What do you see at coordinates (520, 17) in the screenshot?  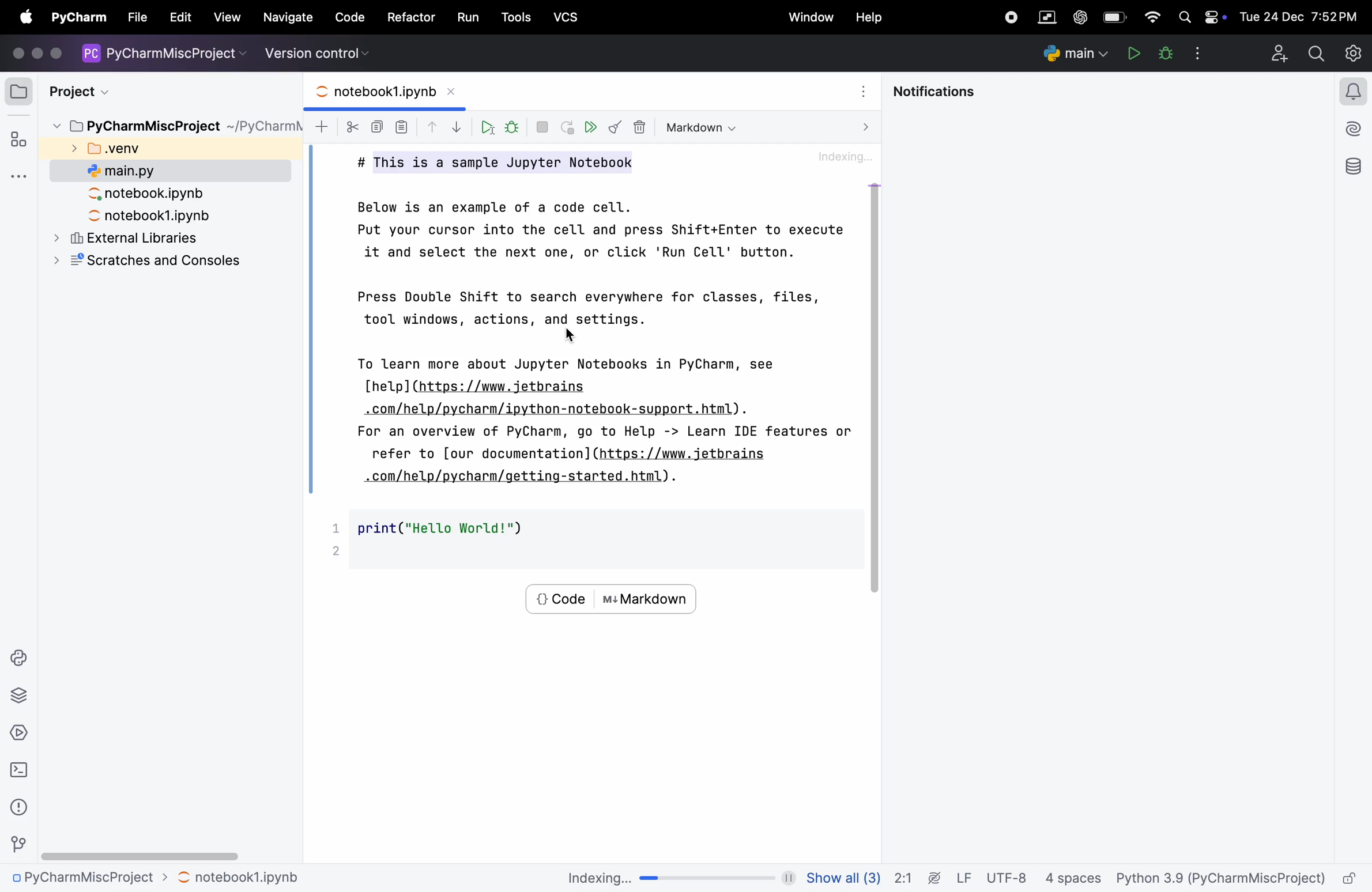 I see `` at bounding box center [520, 17].